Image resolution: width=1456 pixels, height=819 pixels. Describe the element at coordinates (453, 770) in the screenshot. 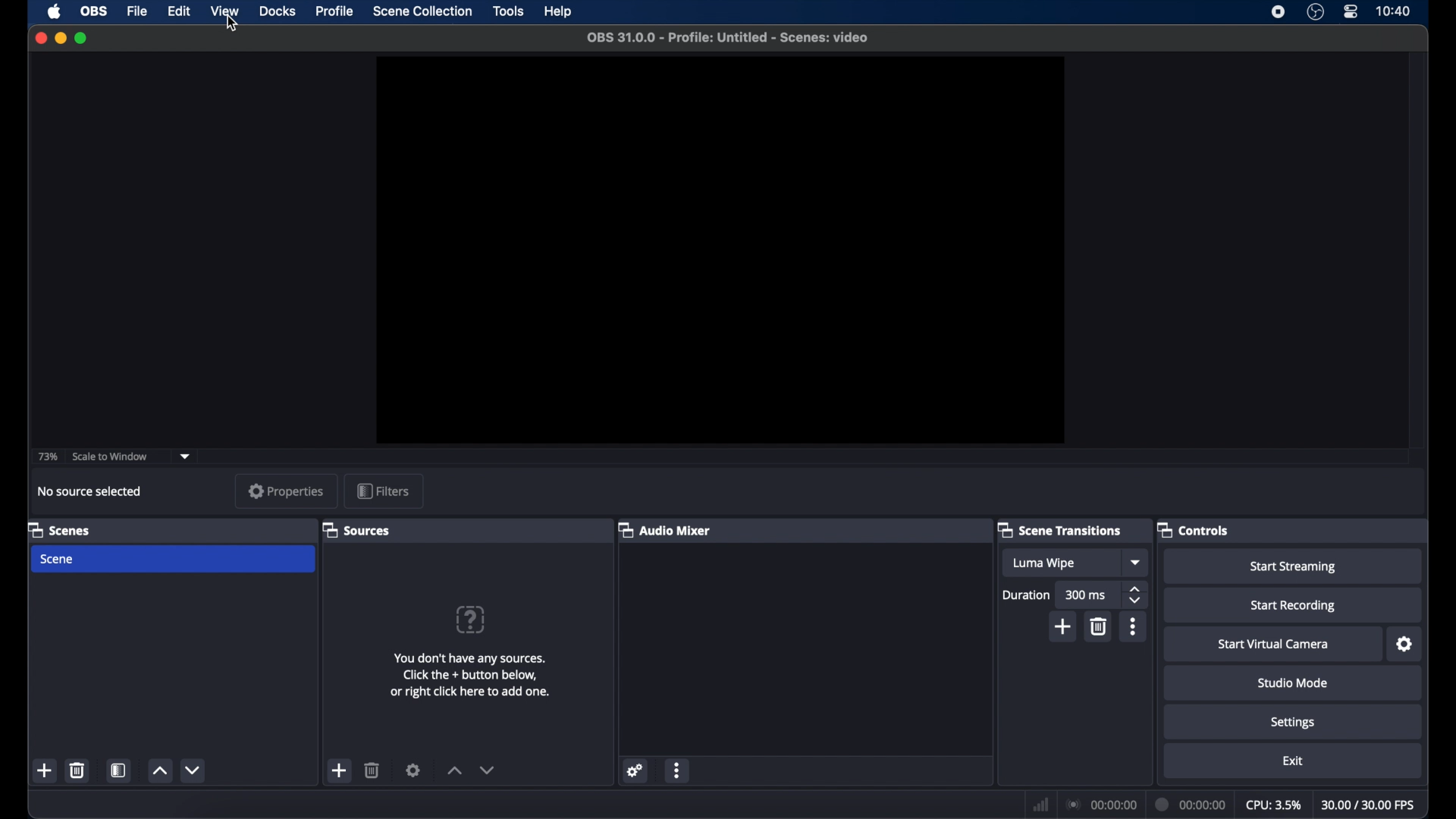

I see `increment` at that location.